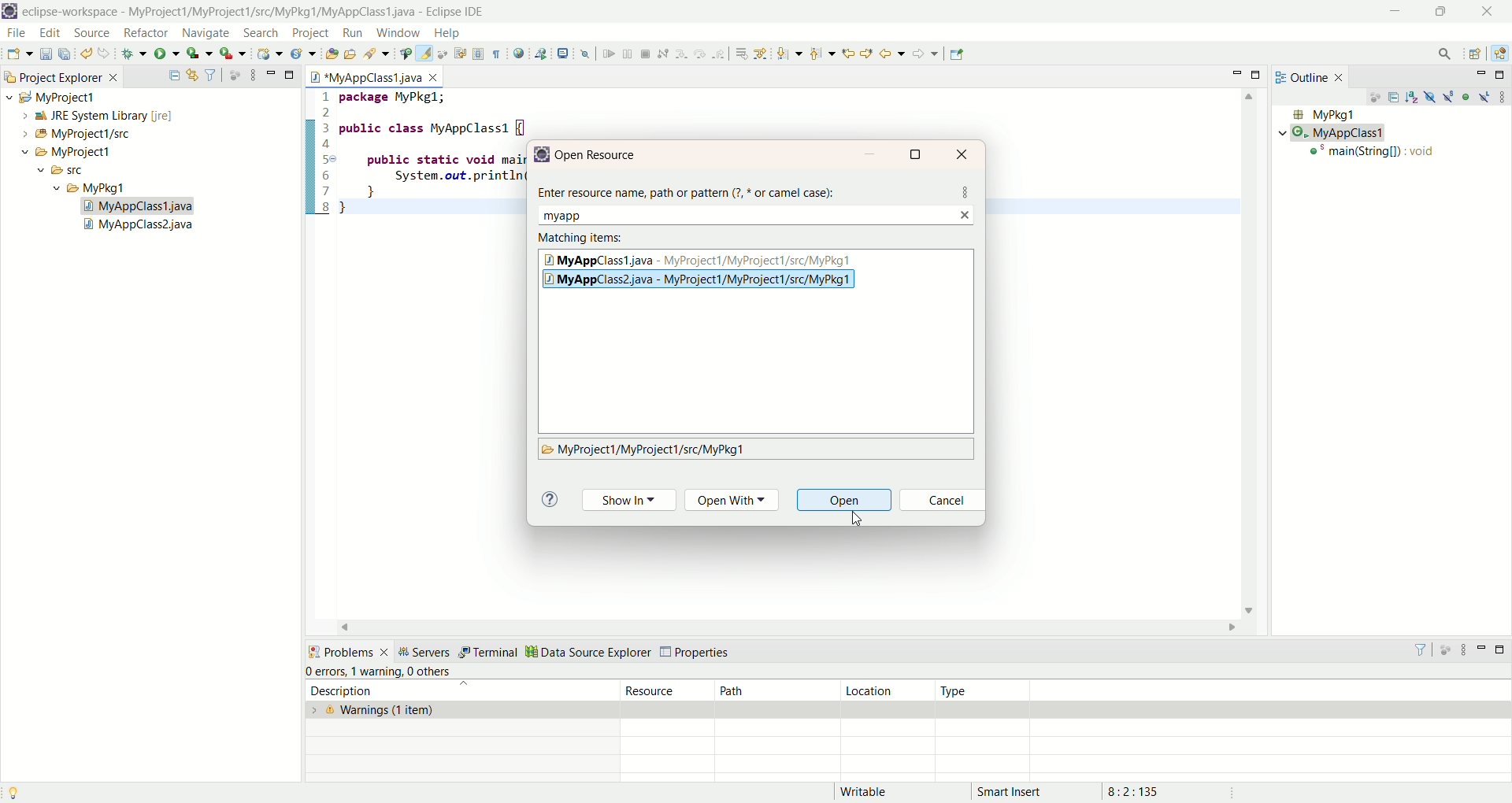 This screenshot has width=1512, height=803. Describe the element at coordinates (1021, 791) in the screenshot. I see `smart insert` at that location.